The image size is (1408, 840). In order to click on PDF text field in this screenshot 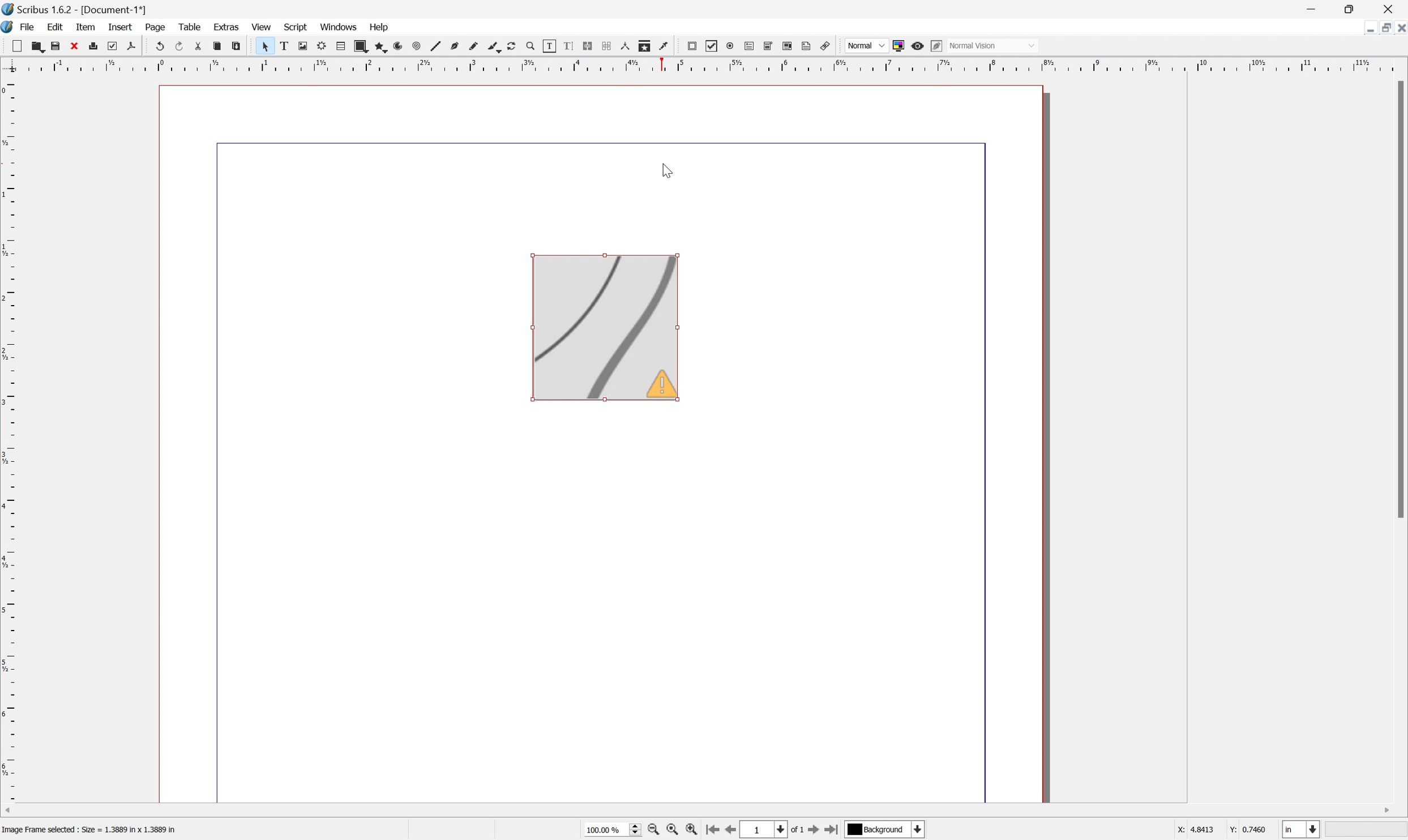, I will do `click(751, 44)`.